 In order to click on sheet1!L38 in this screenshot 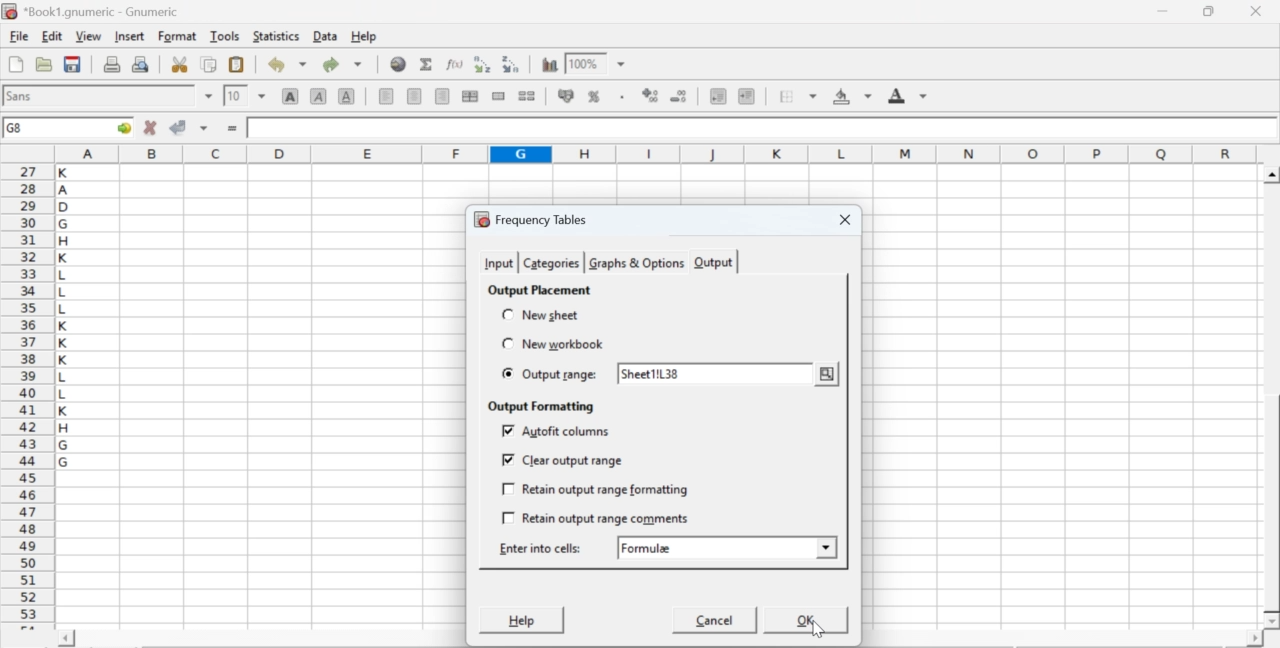, I will do `click(650, 373)`.